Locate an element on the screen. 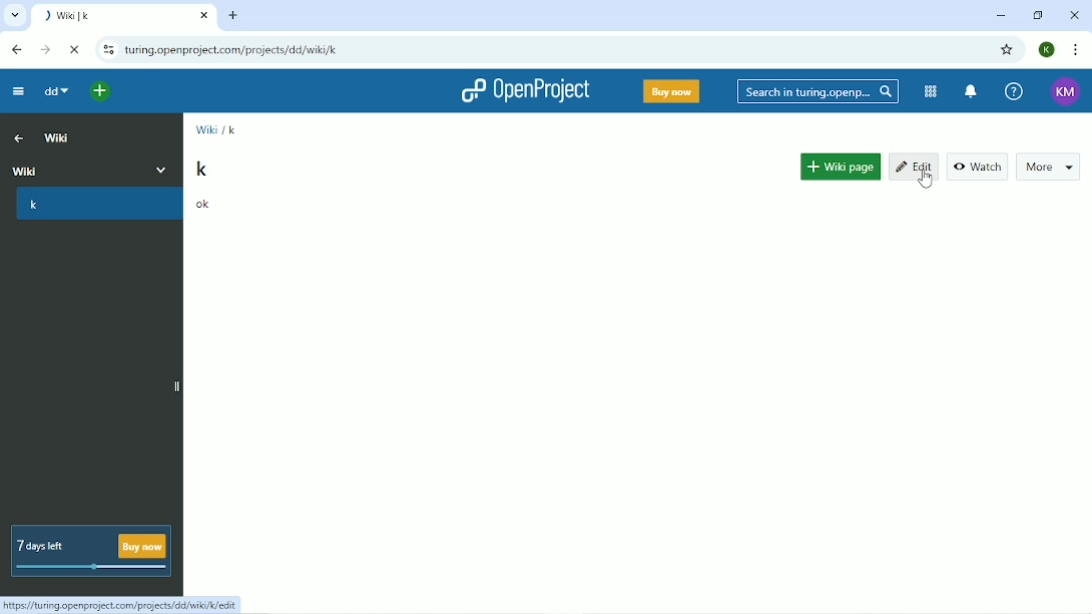 The width and height of the screenshot is (1092, 614). New tab is located at coordinates (233, 15).